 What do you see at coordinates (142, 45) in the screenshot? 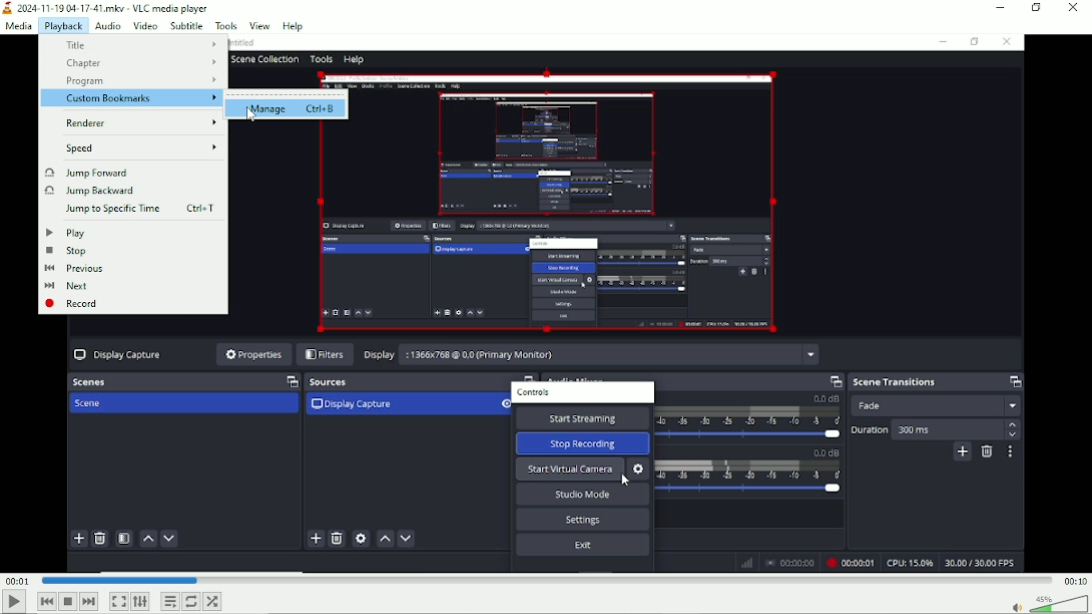
I see `Title` at bounding box center [142, 45].